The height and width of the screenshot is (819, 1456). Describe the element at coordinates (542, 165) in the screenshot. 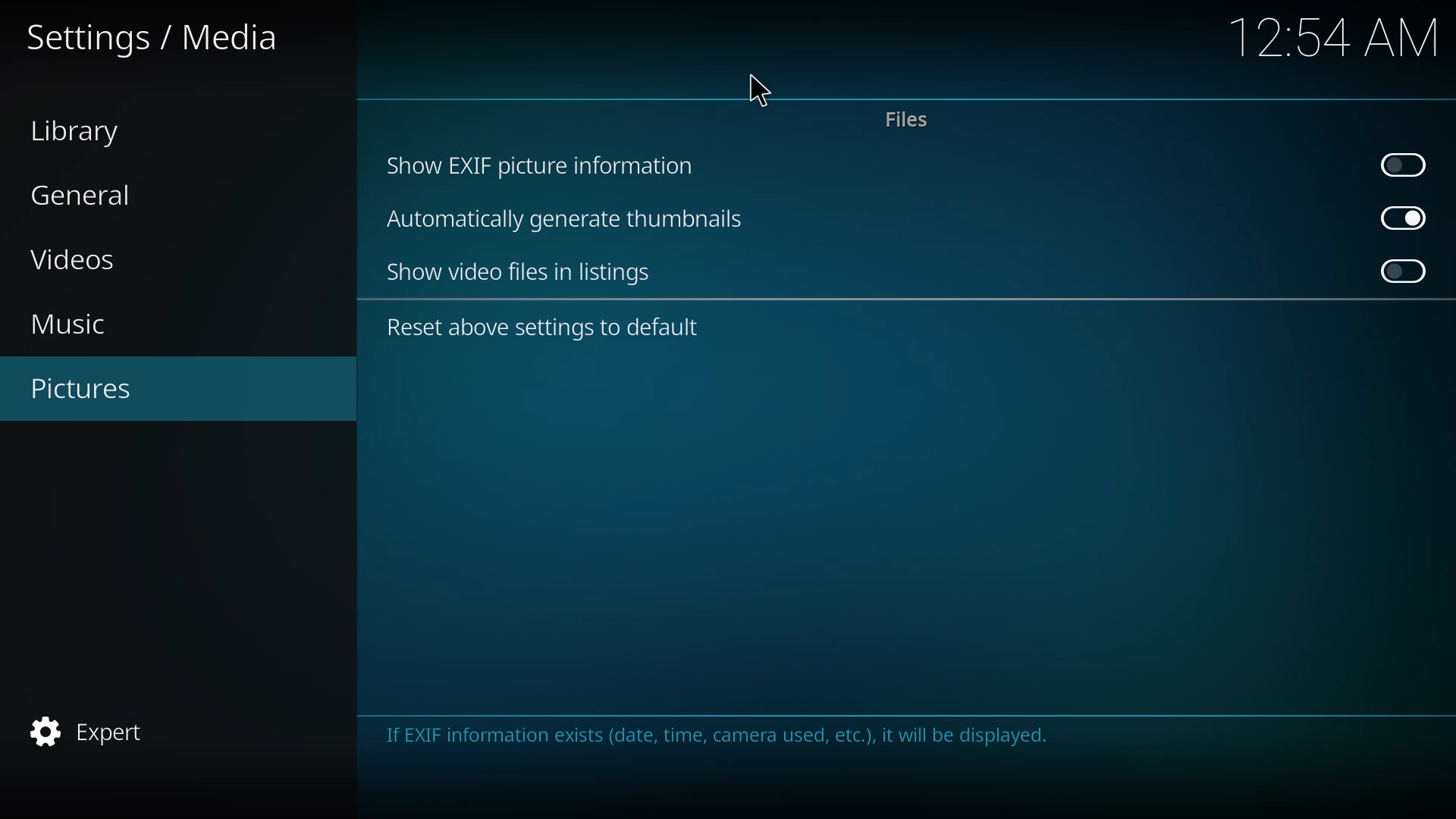

I see `show exif picture info` at that location.